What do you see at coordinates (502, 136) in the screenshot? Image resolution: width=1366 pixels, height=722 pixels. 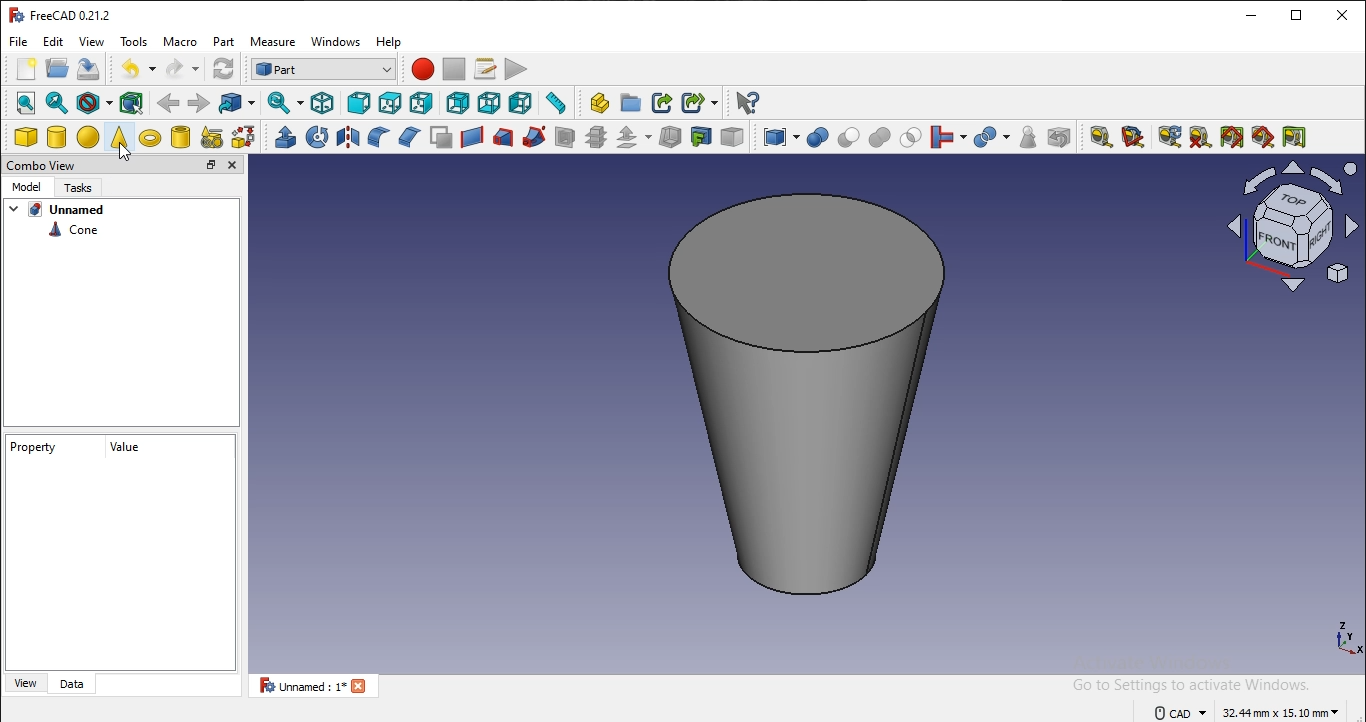 I see `loft` at bounding box center [502, 136].